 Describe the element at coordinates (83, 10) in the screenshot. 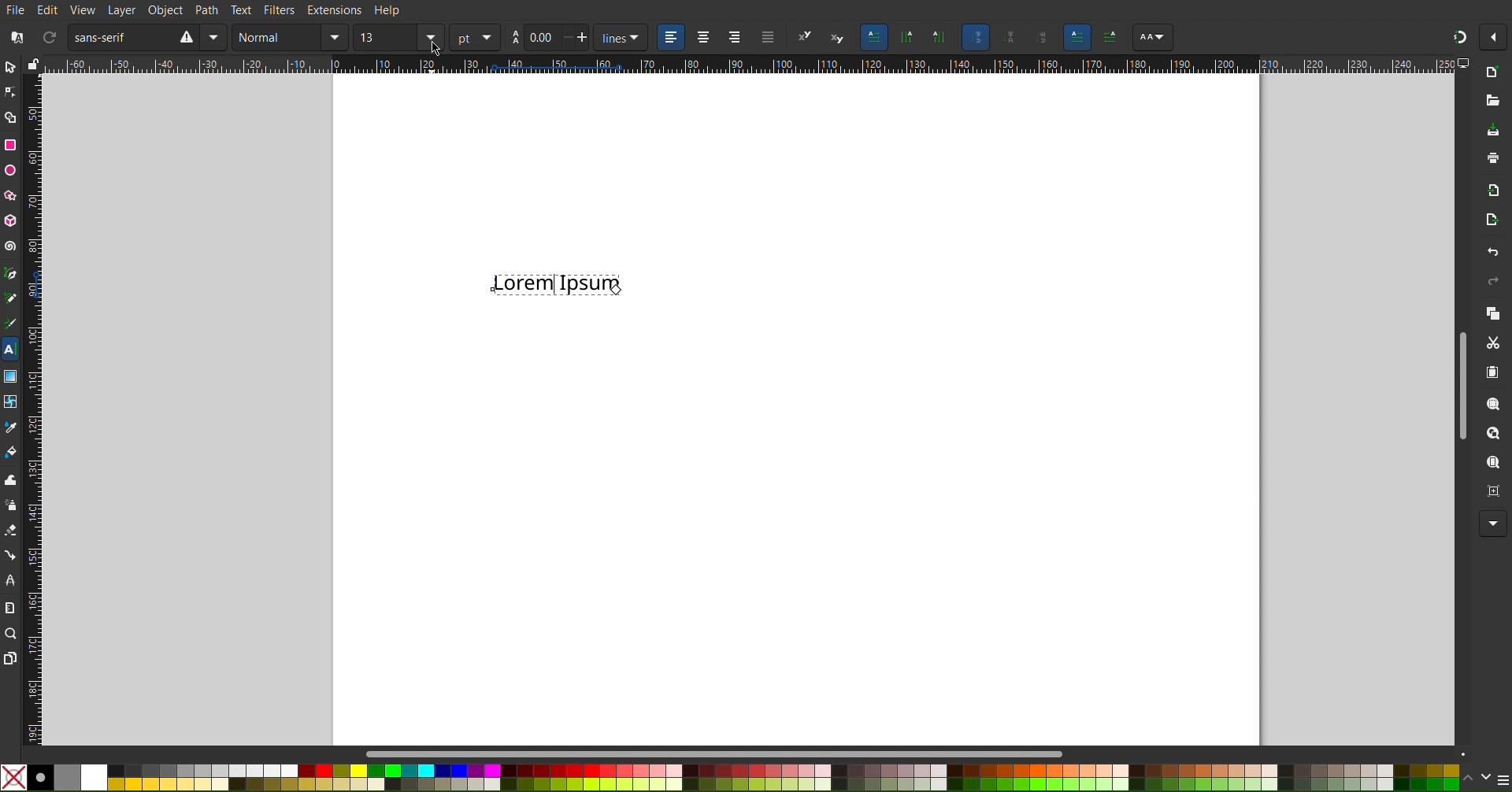

I see `View` at that location.